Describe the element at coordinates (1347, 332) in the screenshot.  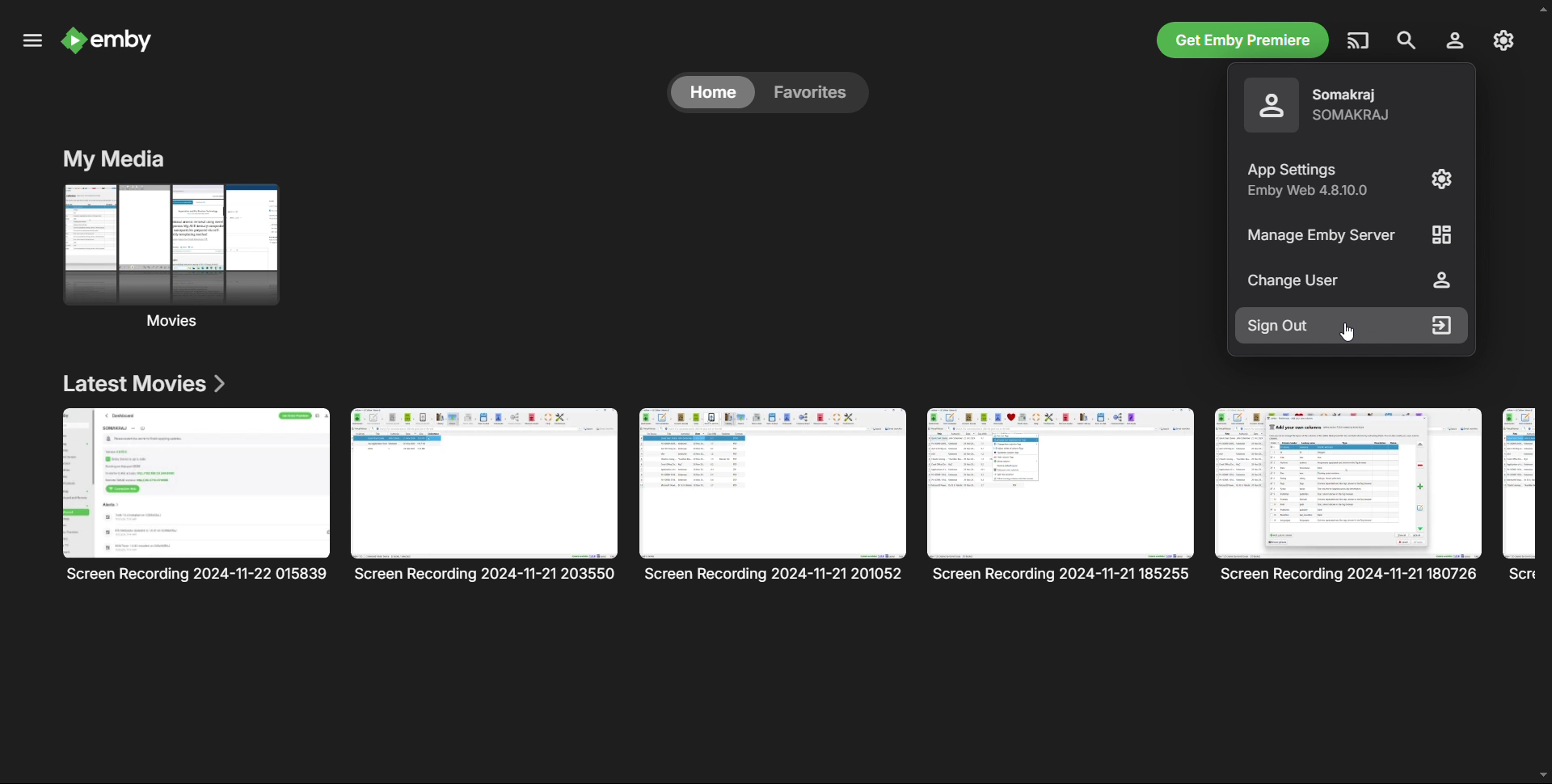
I see `Cursor` at that location.